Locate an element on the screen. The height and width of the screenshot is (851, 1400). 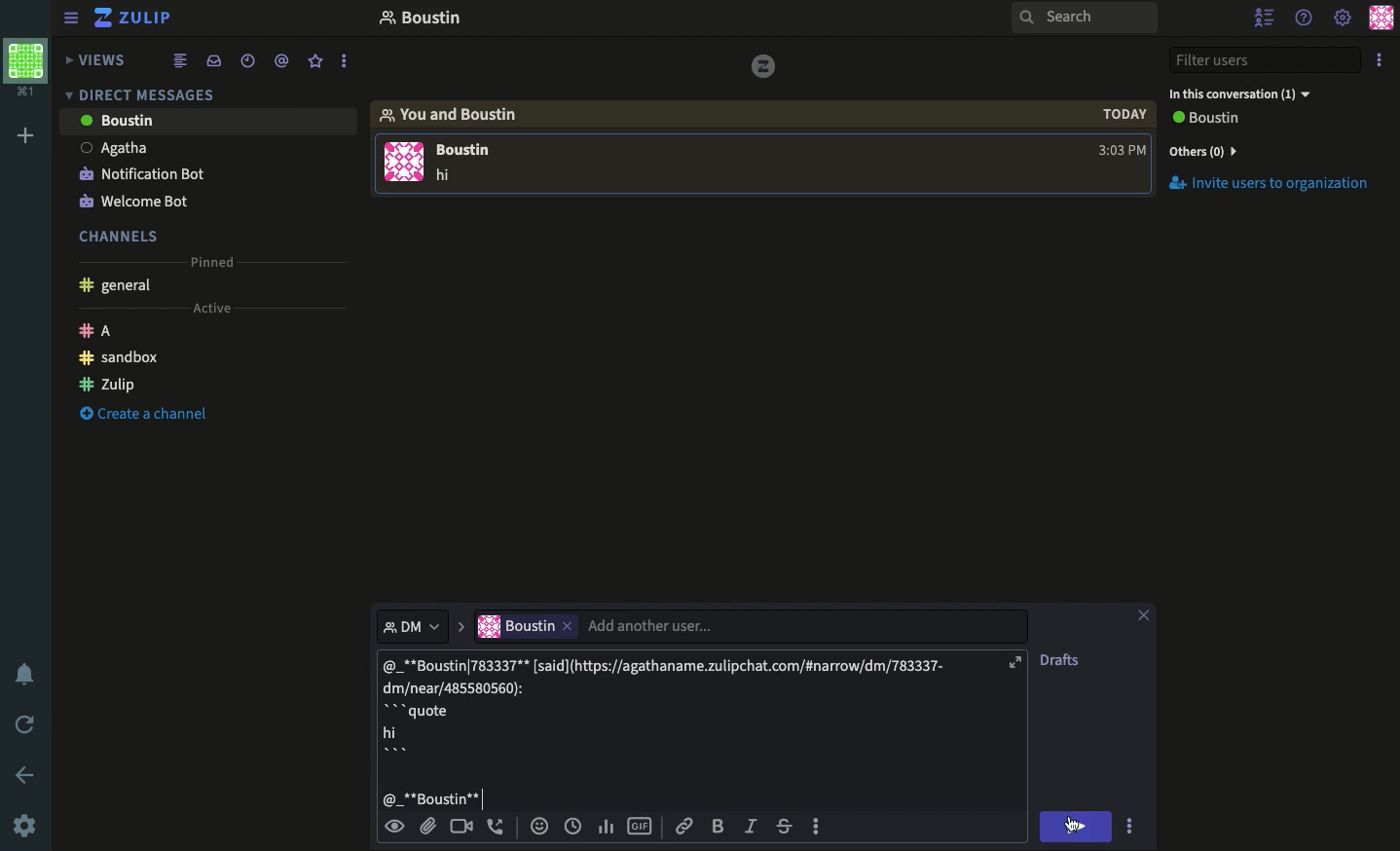
Text is located at coordinates (671, 713).